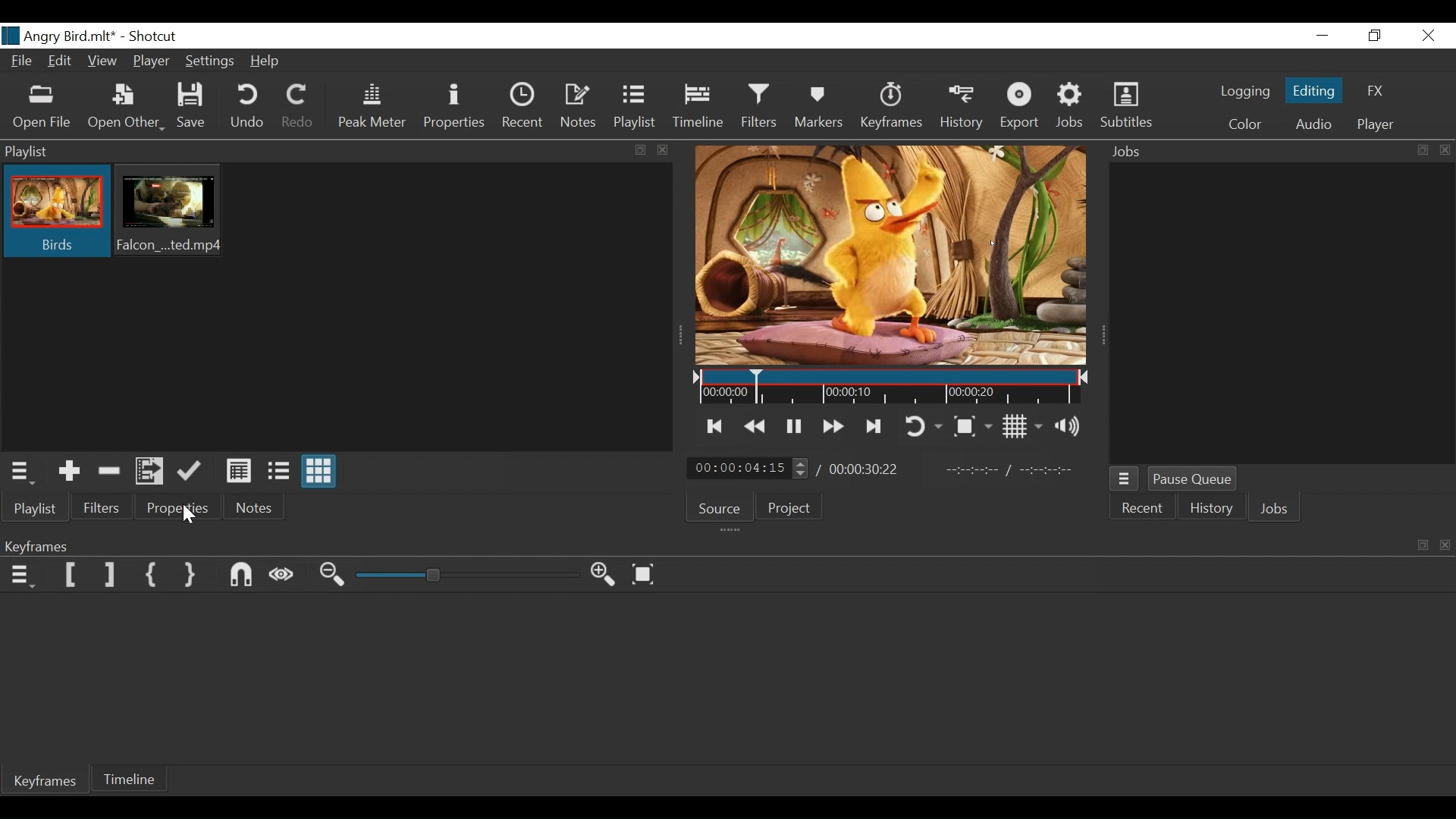  What do you see at coordinates (298, 108) in the screenshot?
I see `Redo` at bounding box center [298, 108].